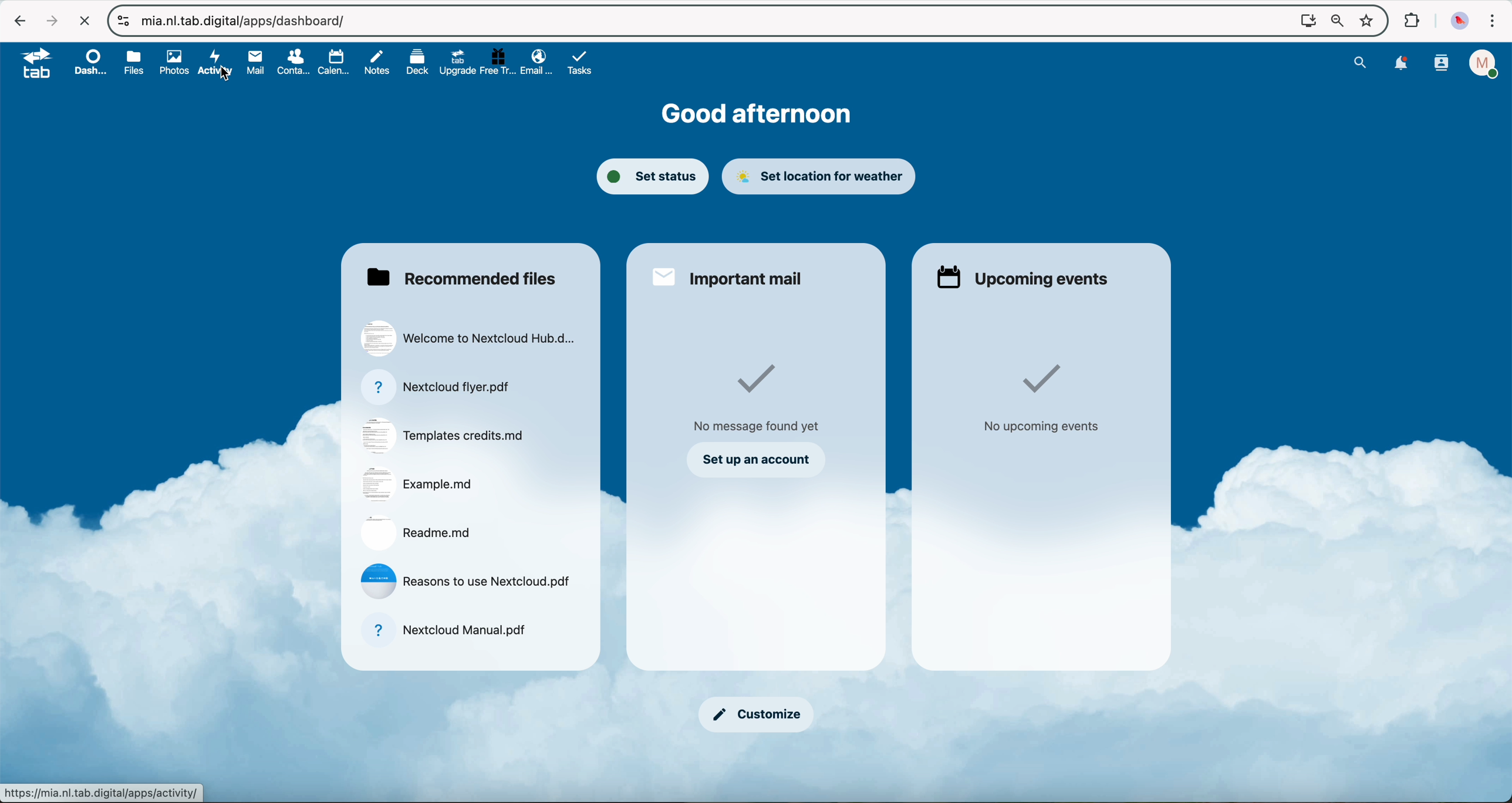 The image size is (1512, 803). I want to click on search, so click(1360, 62).